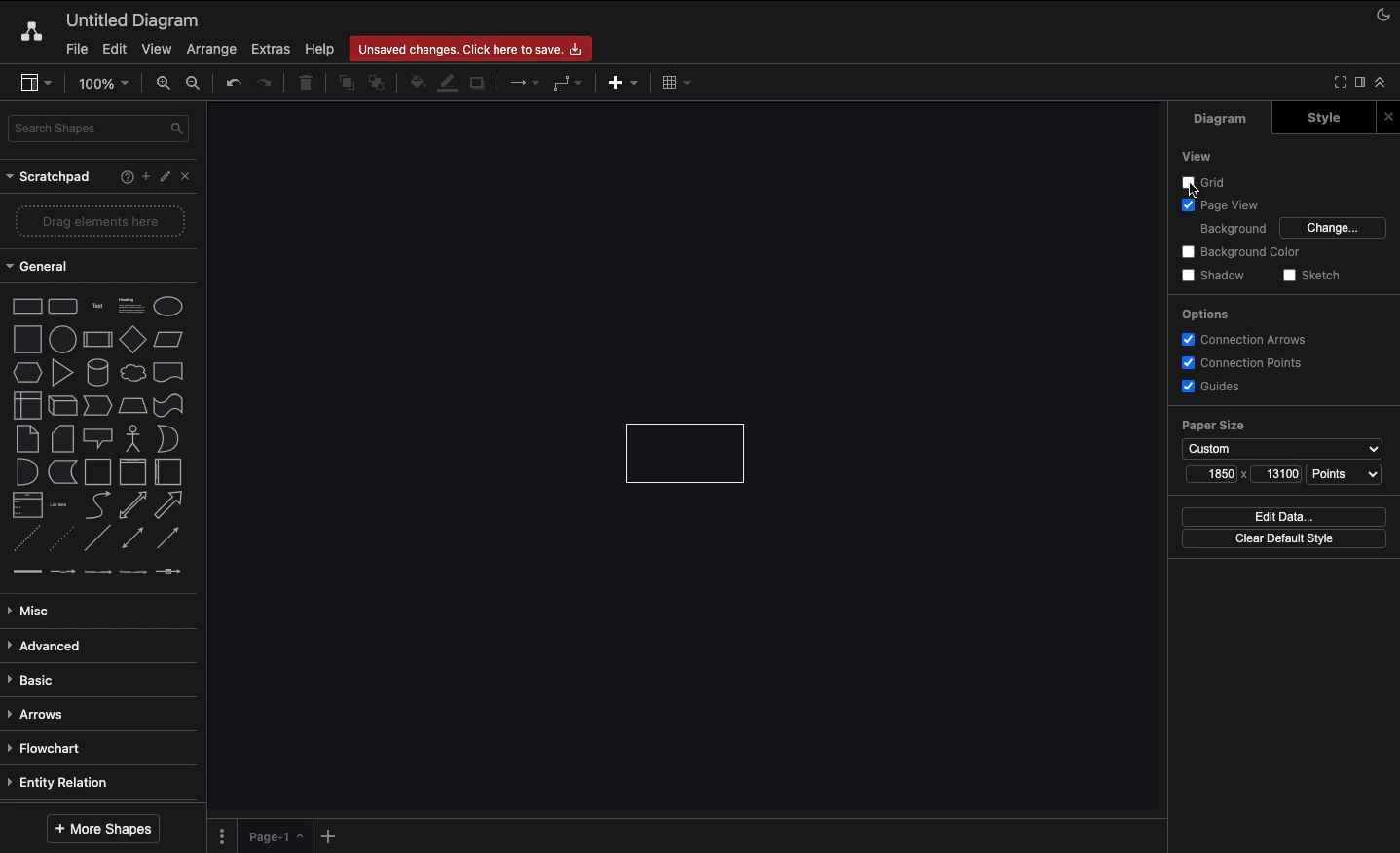 This screenshot has height=853, width=1400. What do you see at coordinates (1378, 16) in the screenshot?
I see `Night mode on` at bounding box center [1378, 16].